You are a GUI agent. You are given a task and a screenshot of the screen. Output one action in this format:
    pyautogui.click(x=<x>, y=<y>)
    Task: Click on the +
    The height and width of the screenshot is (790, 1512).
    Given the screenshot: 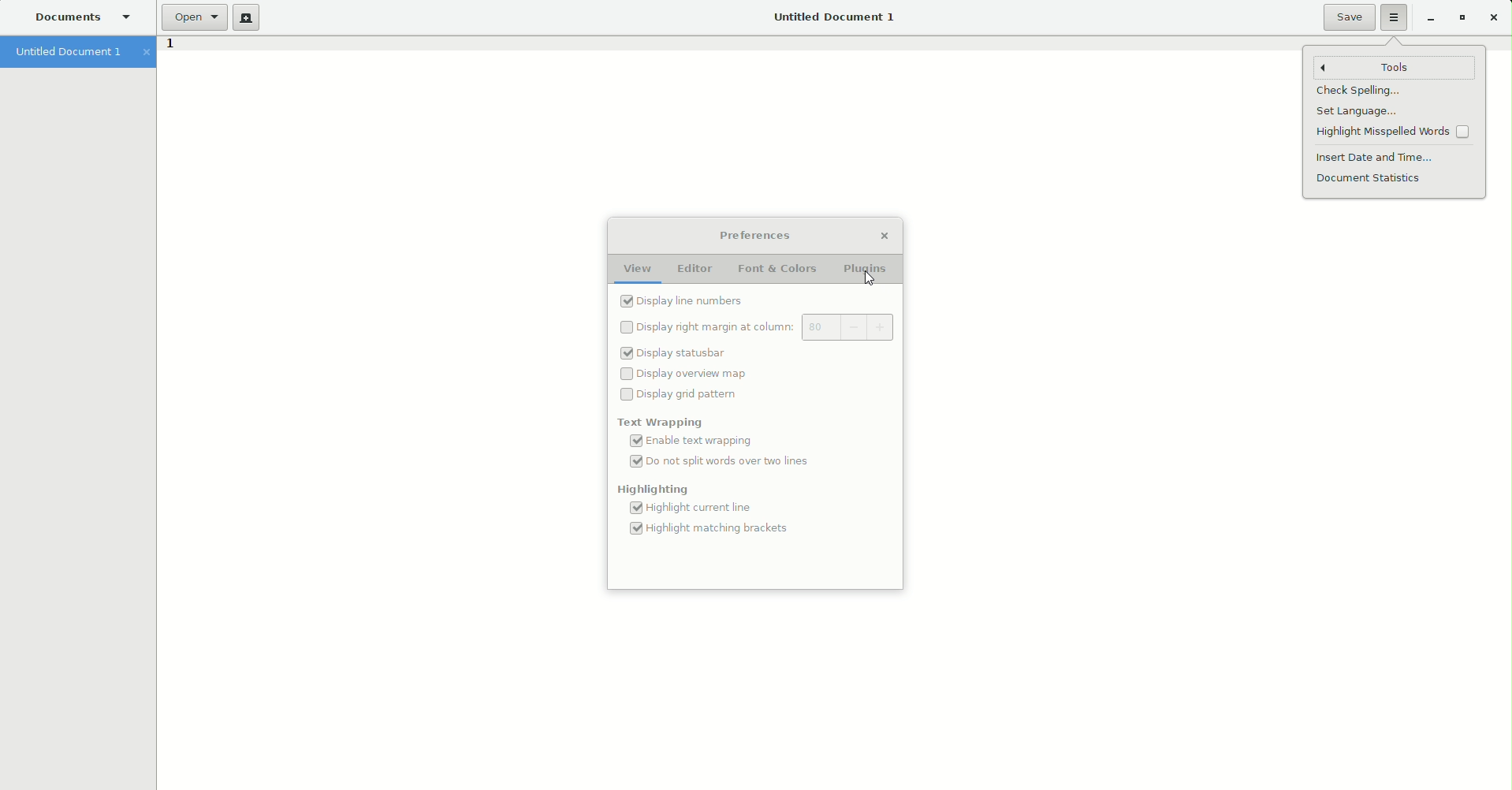 What is the action you would take?
    pyautogui.click(x=873, y=326)
    